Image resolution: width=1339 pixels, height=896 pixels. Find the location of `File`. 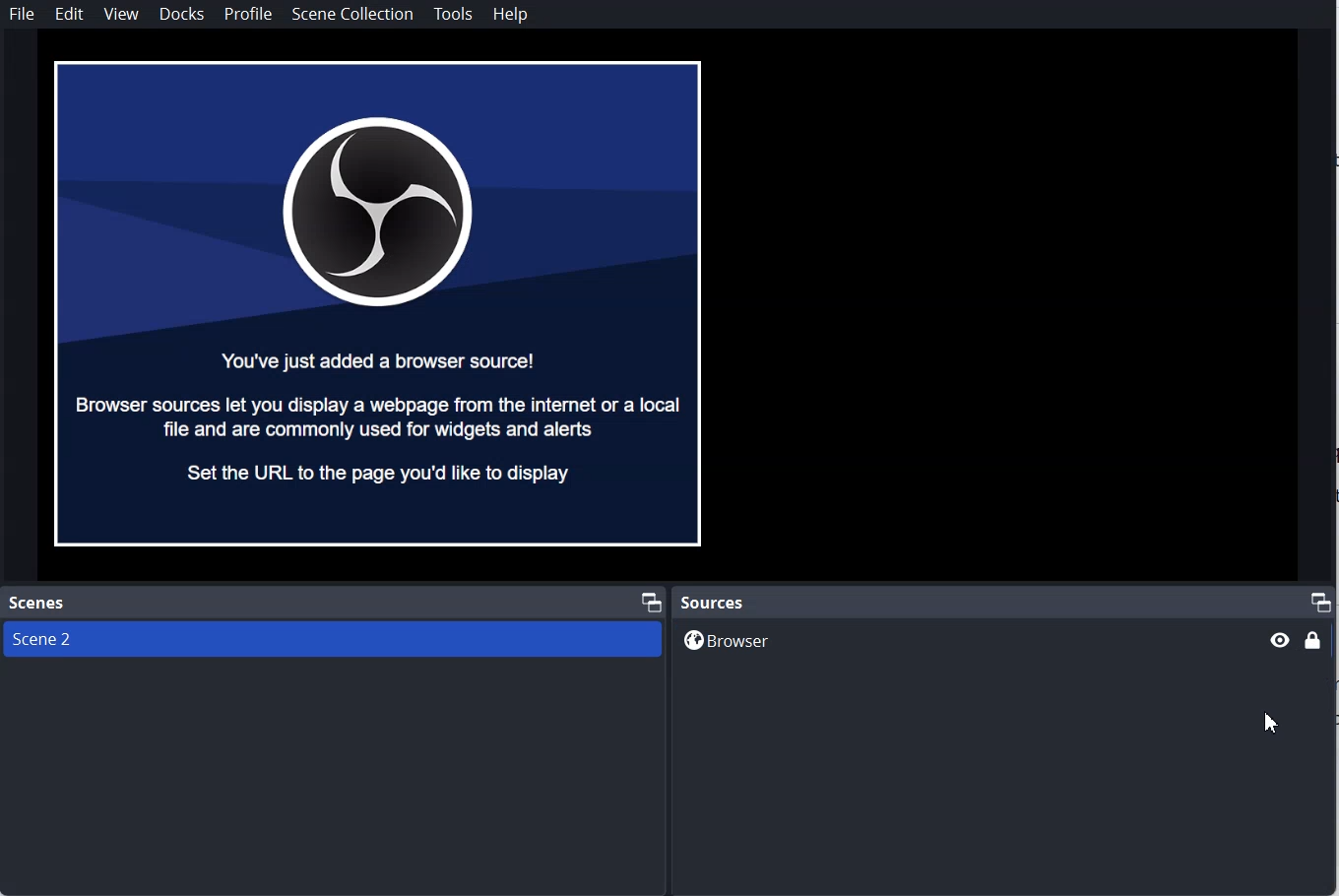

File is located at coordinates (24, 14).